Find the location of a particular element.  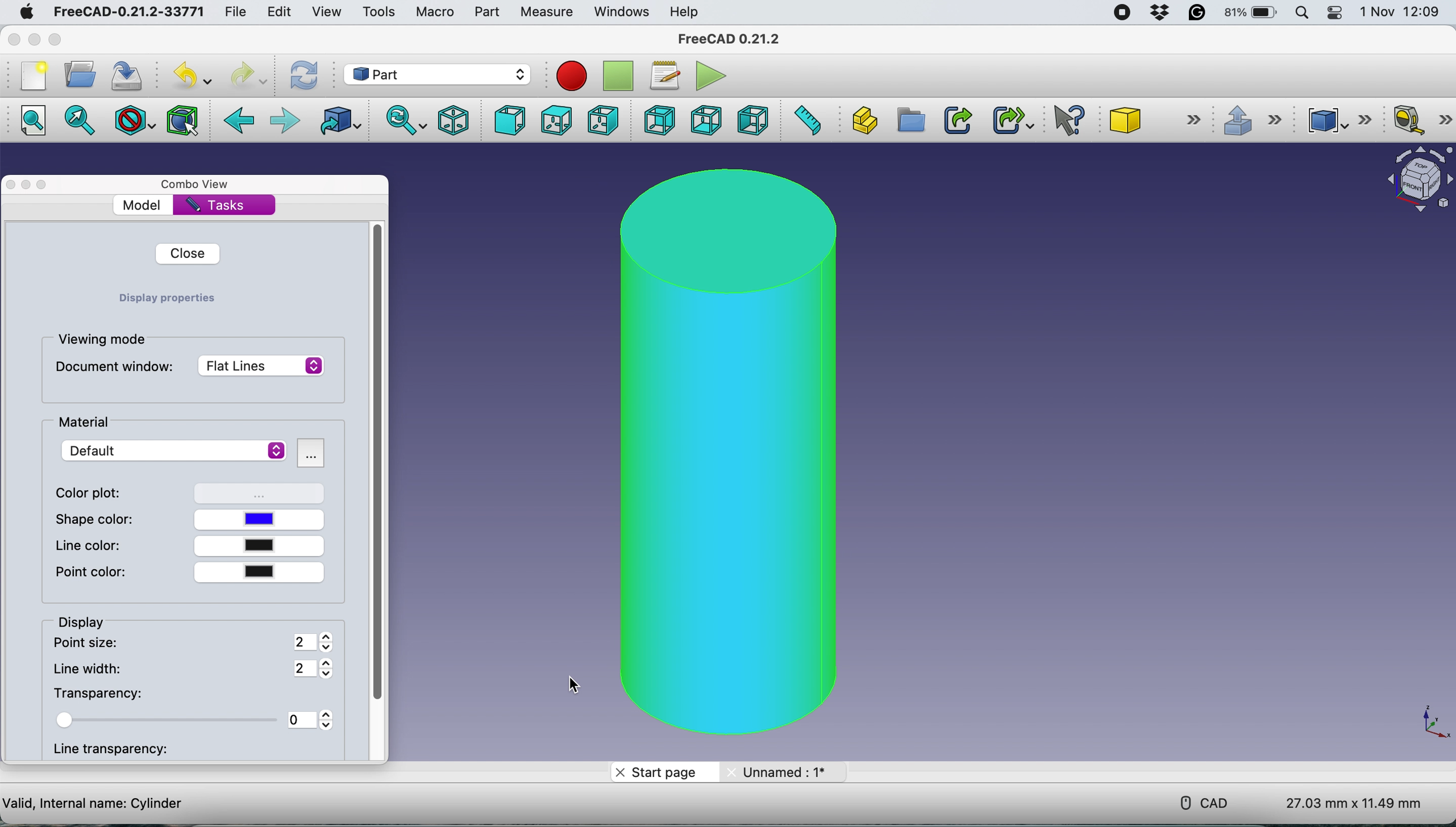

rear is located at coordinates (656, 122).